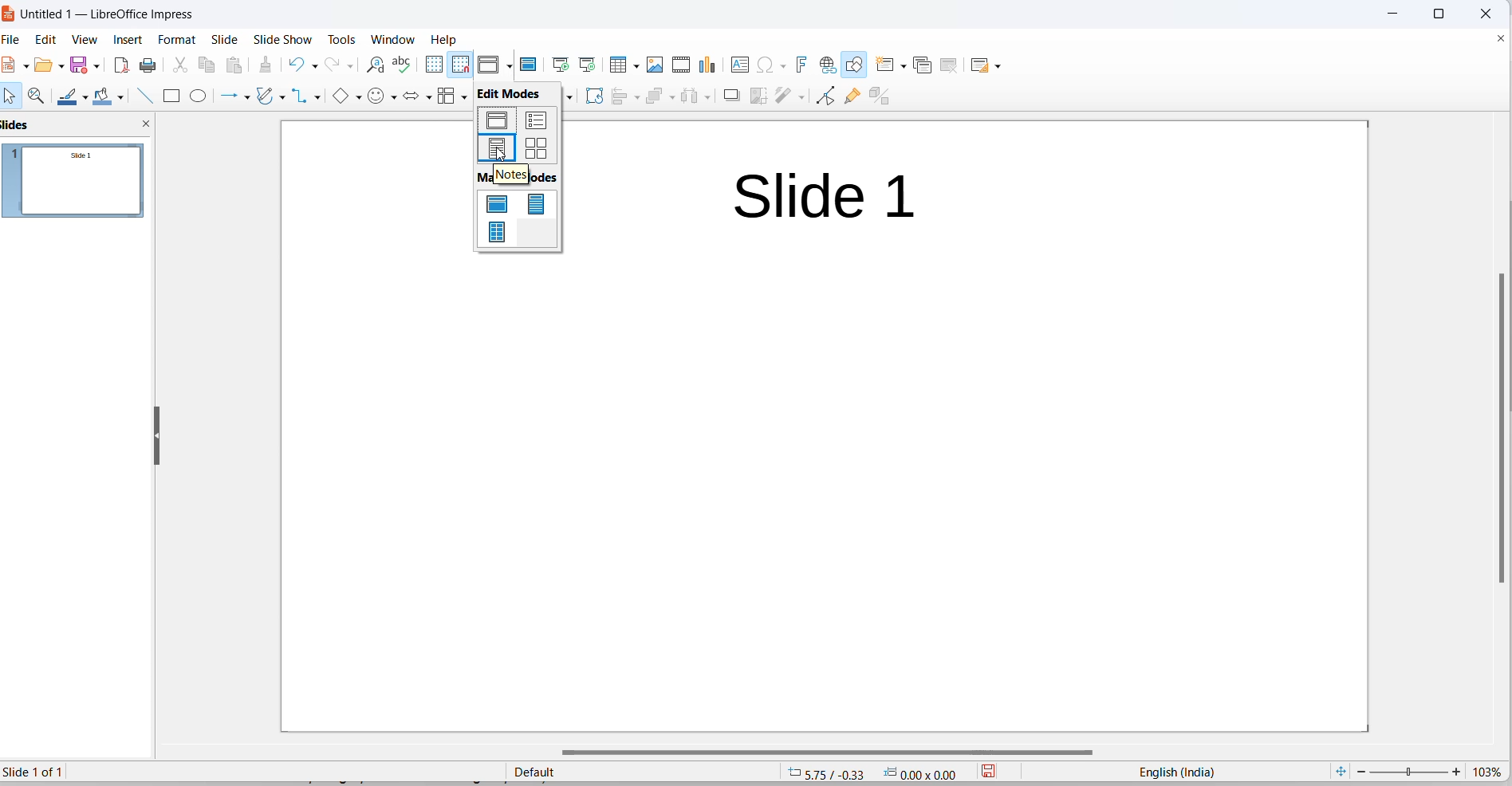 The height and width of the screenshot is (786, 1512). I want to click on redo , so click(333, 65).